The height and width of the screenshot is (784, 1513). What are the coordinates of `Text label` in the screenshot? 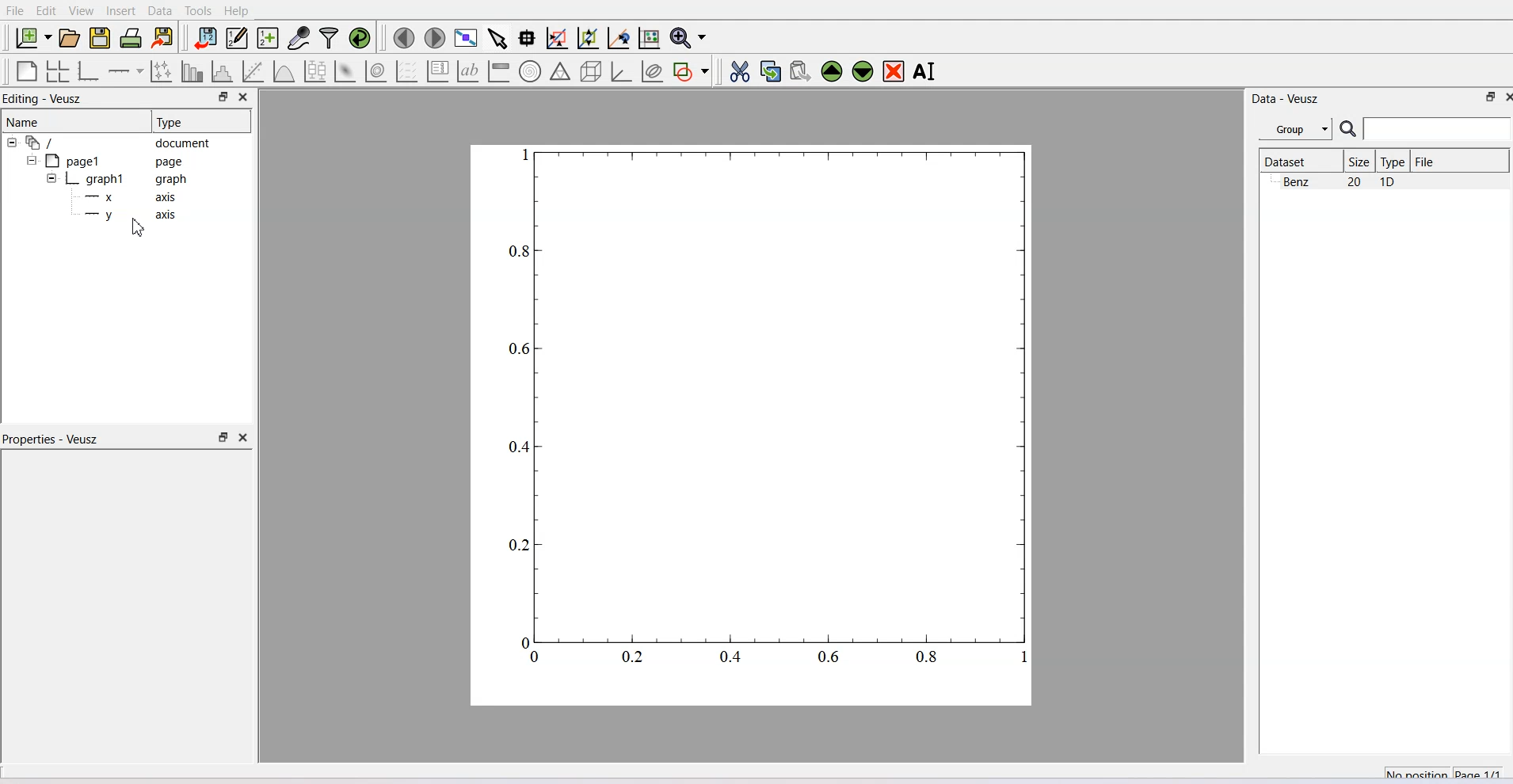 It's located at (467, 71).